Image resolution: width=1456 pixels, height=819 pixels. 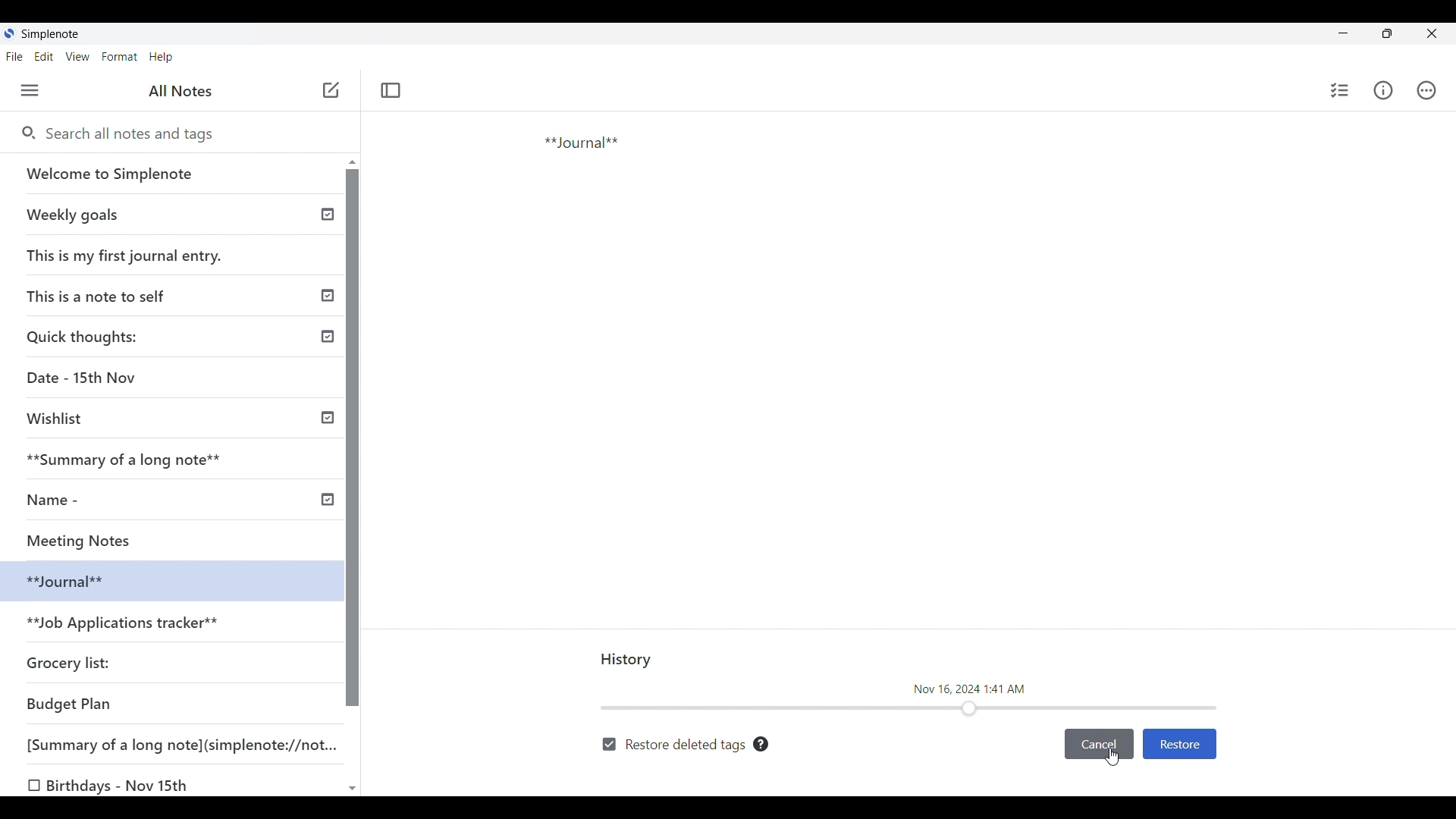 I want to click on Budget Plan, so click(x=70, y=704).